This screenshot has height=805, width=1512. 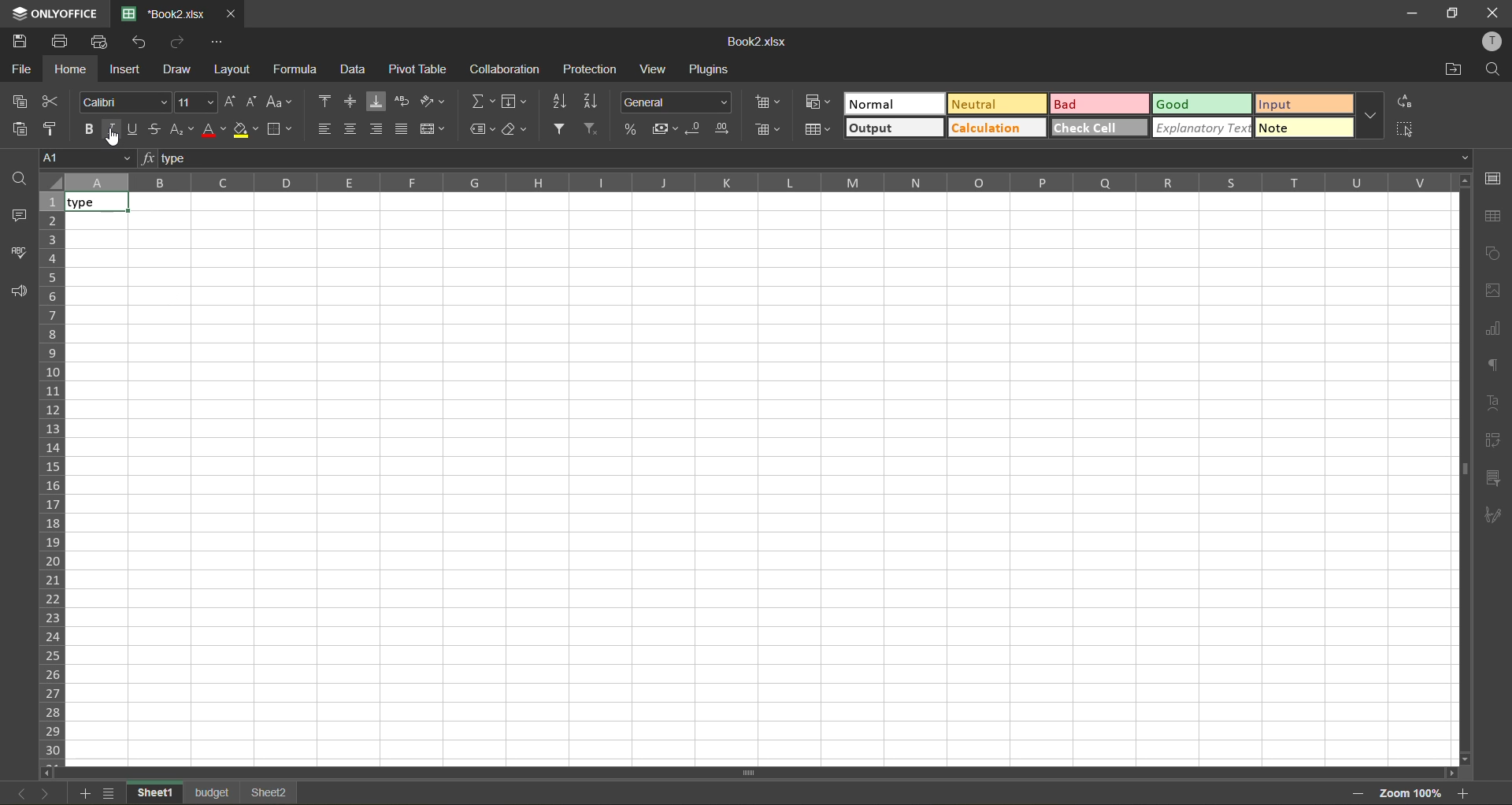 I want to click on column names, so click(x=759, y=182).